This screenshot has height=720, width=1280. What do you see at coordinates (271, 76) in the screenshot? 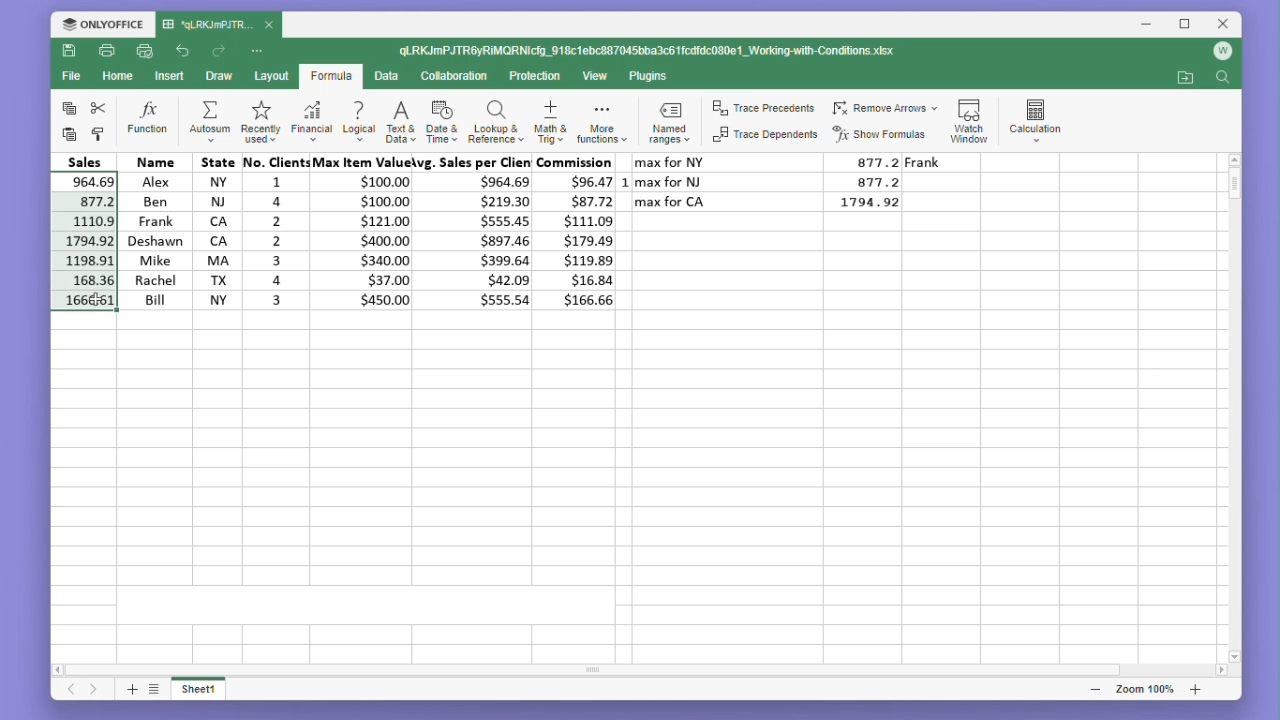
I see `Layout` at bounding box center [271, 76].